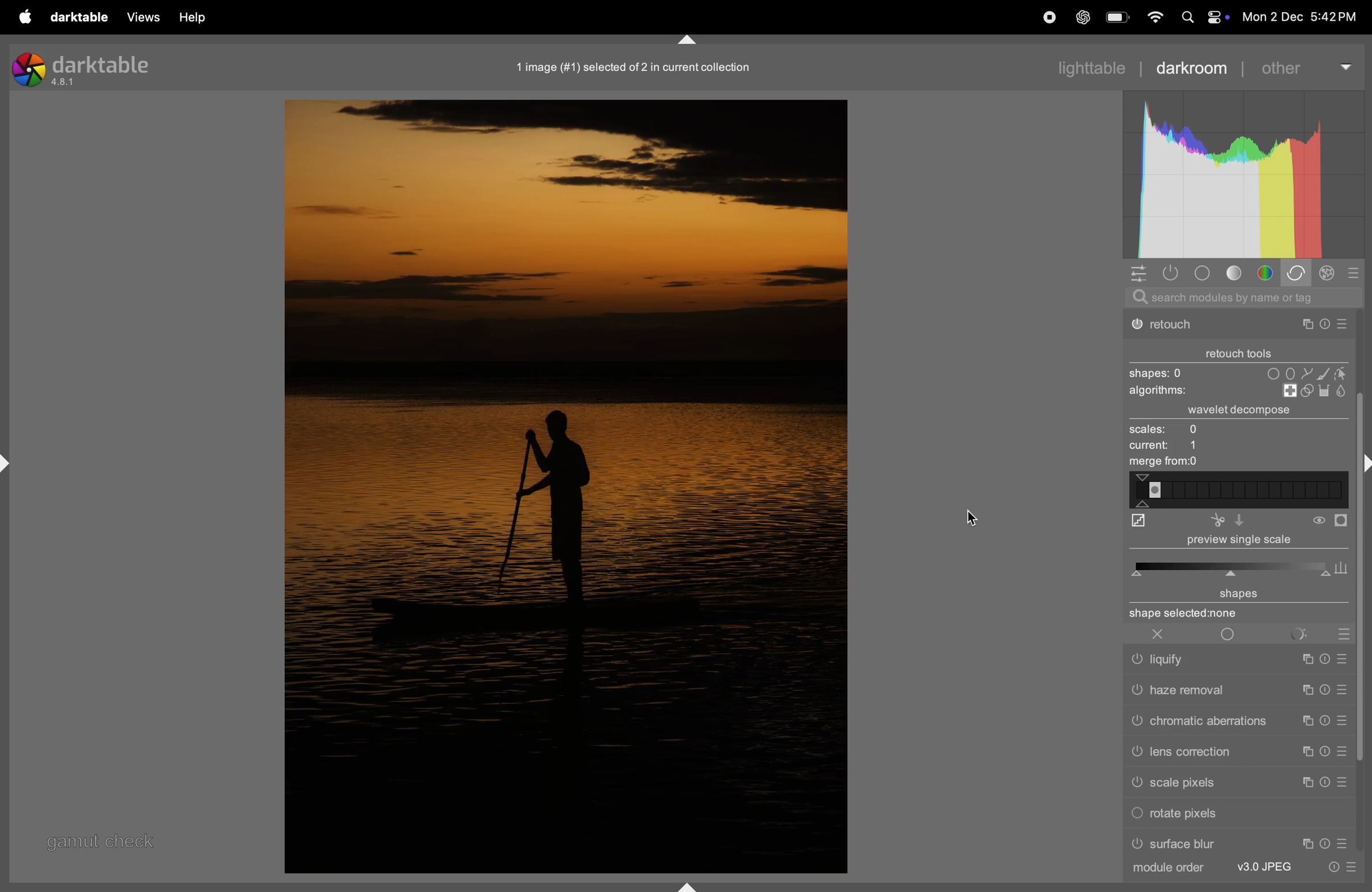 The image size is (1372, 892). I want to click on menu, so click(1360, 874).